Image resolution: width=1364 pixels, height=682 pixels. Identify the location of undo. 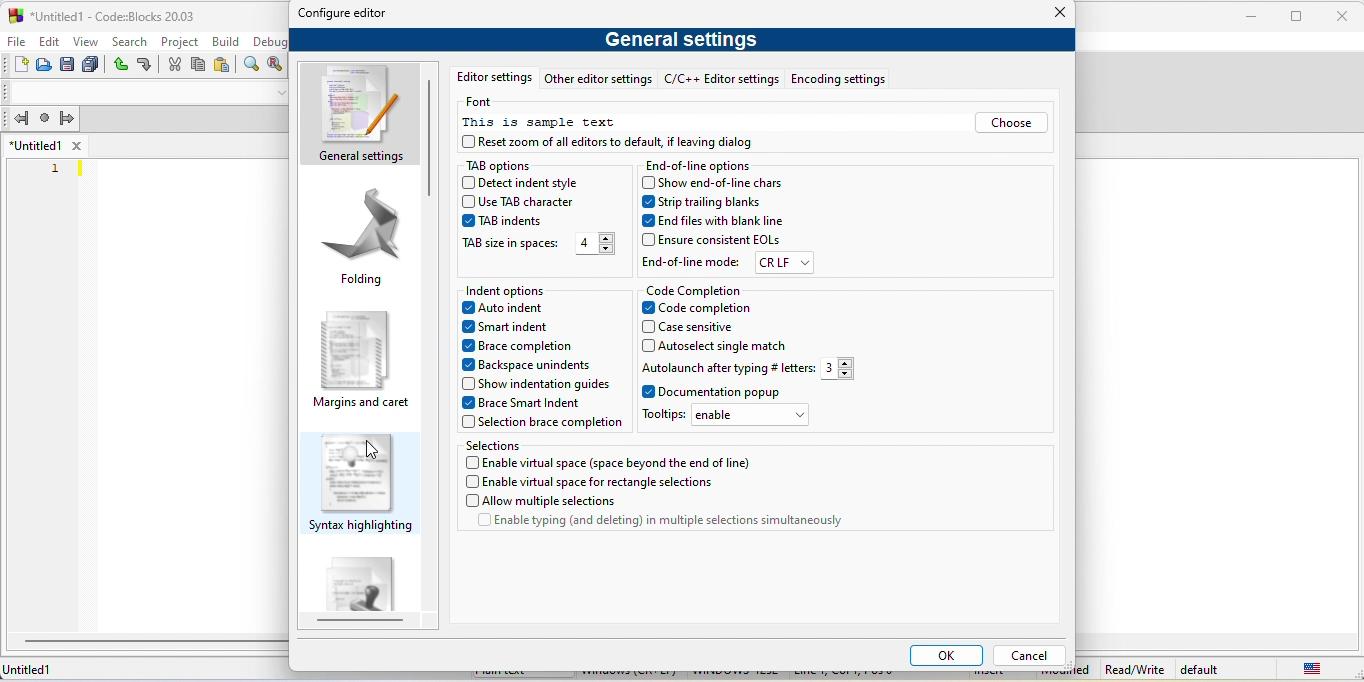
(119, 65).